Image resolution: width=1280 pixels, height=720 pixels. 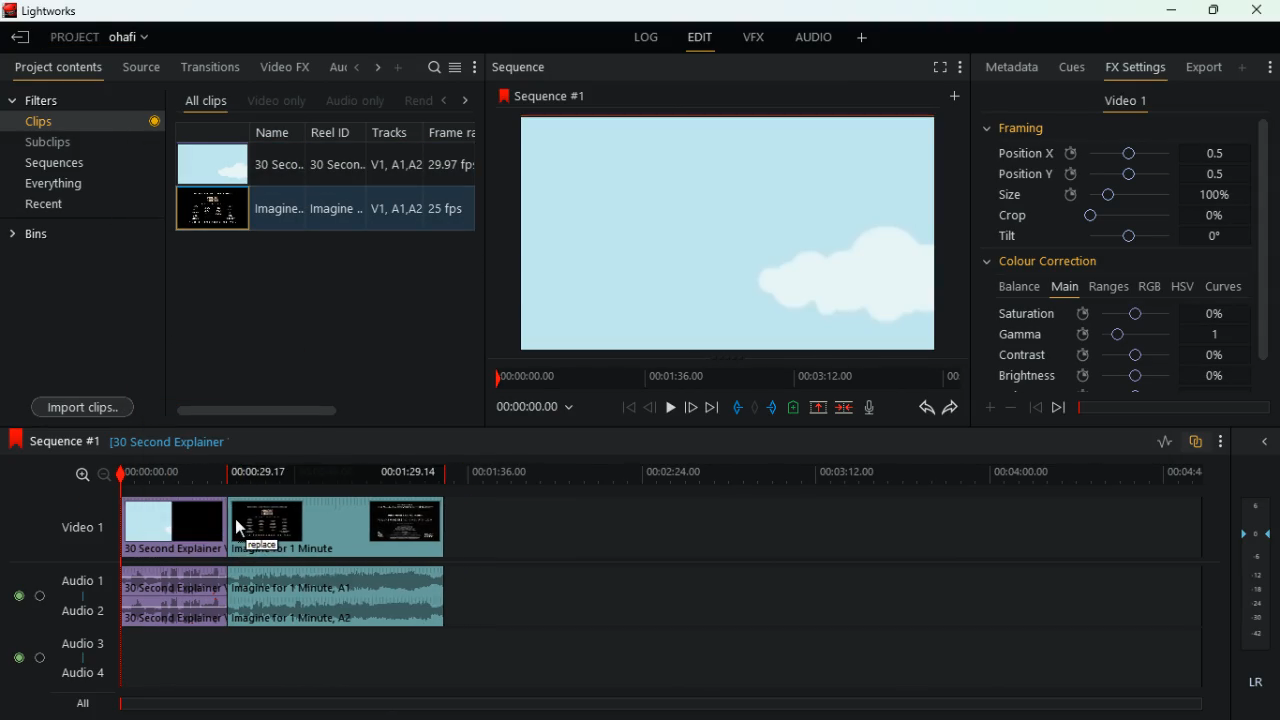 What do you see at coordinates (774, 409) in the screenshot?
I see `push` at bounding box center [774, 409].